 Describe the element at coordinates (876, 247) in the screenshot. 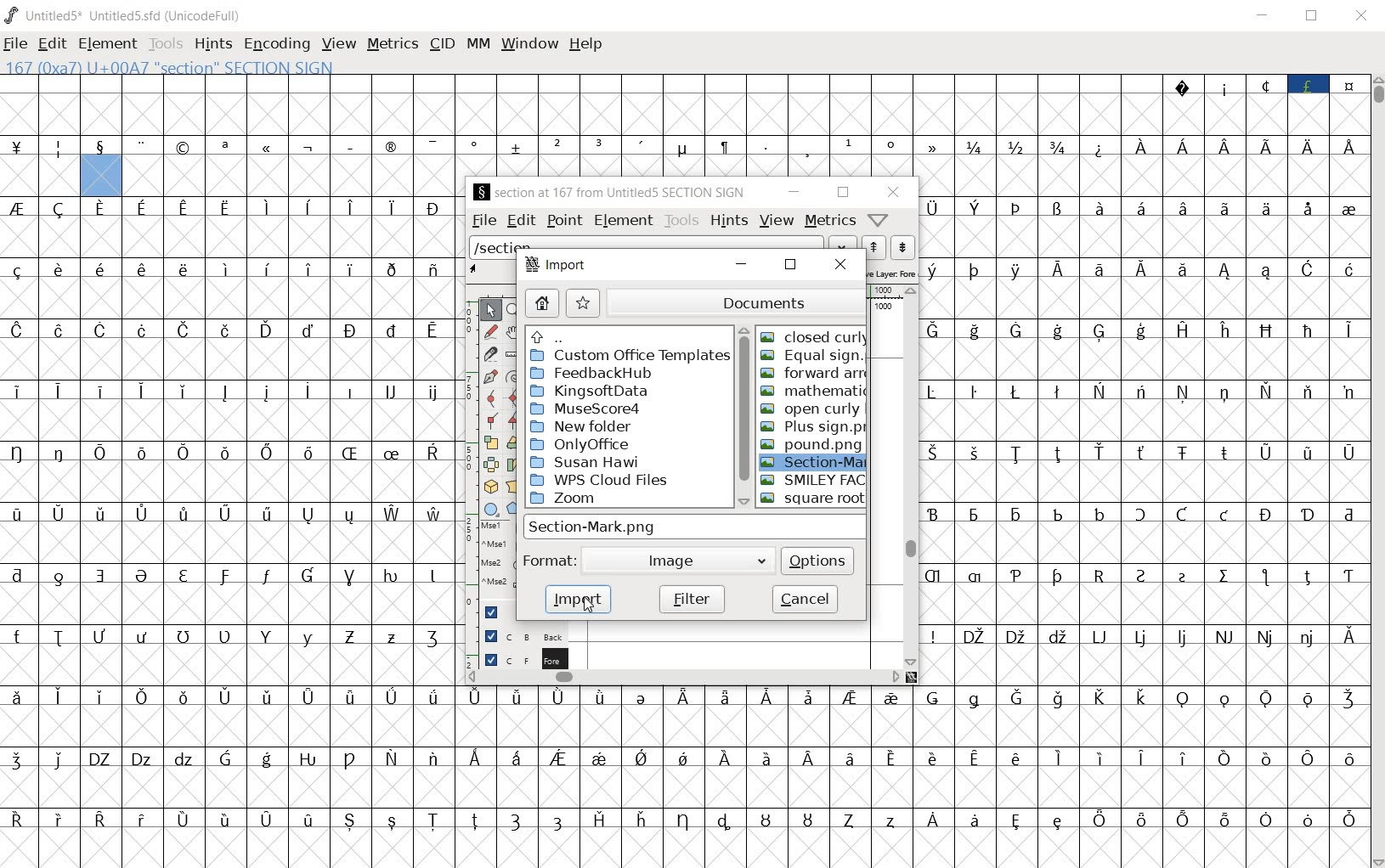

I see `show the next word on the list` at that location.